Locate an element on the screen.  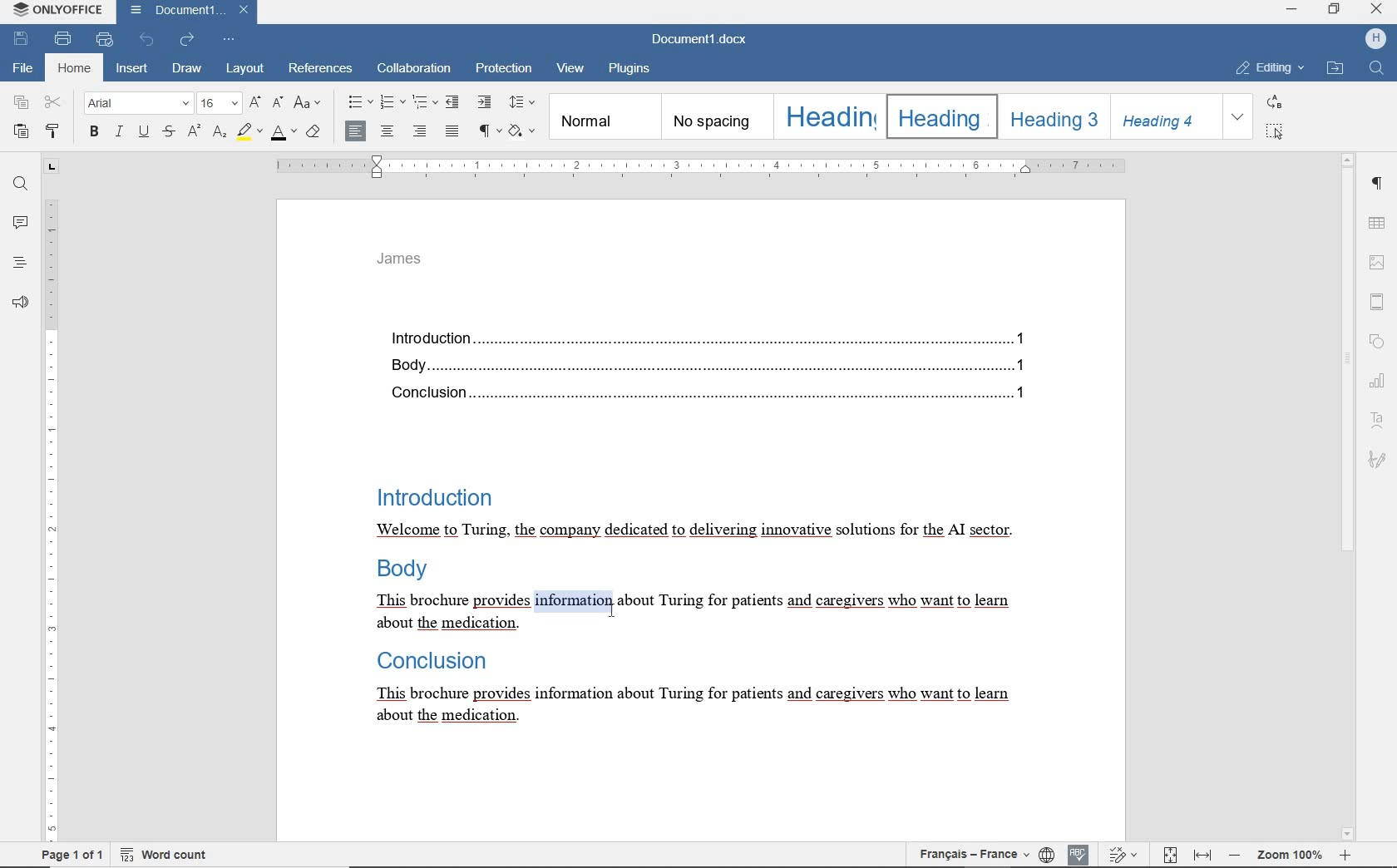
CUSTOMIZE QUICK ACCESS TOOLBAR is located at coordinates (230, 40).